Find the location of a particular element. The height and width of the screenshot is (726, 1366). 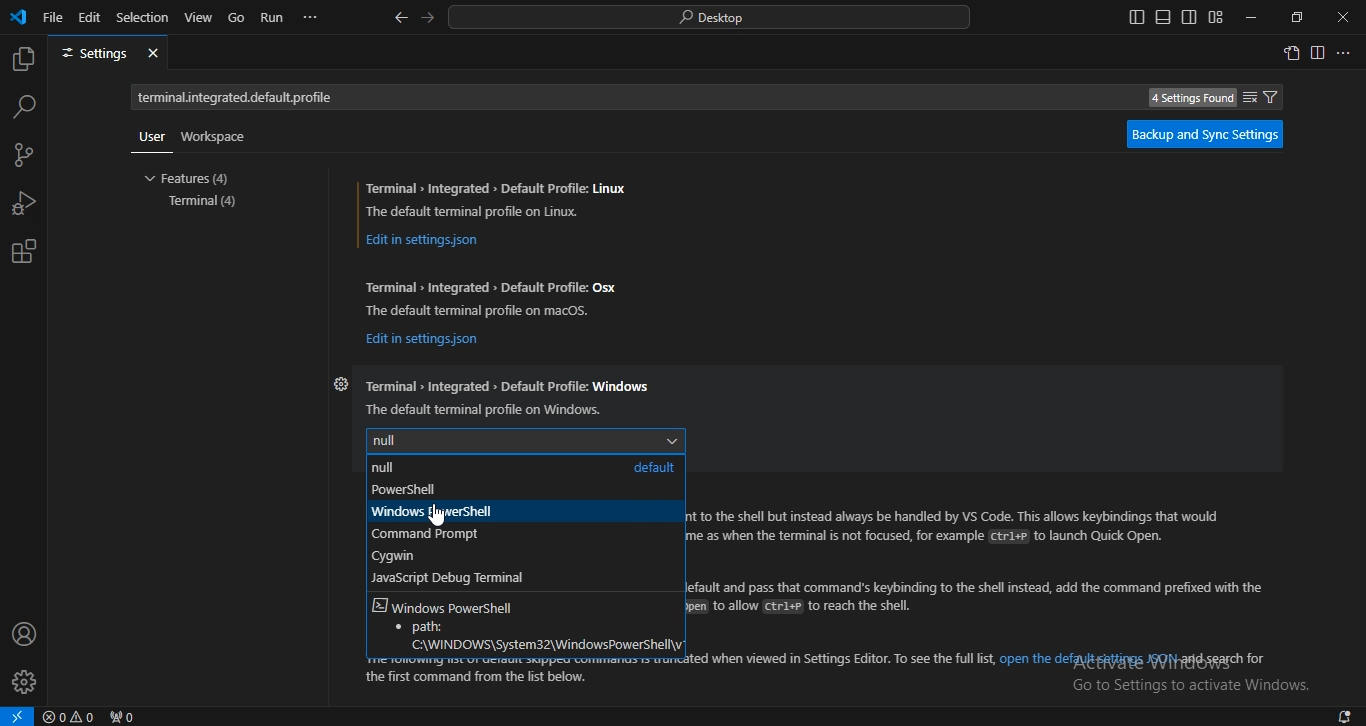

scrollbar is located at coordinates (1302, 350).